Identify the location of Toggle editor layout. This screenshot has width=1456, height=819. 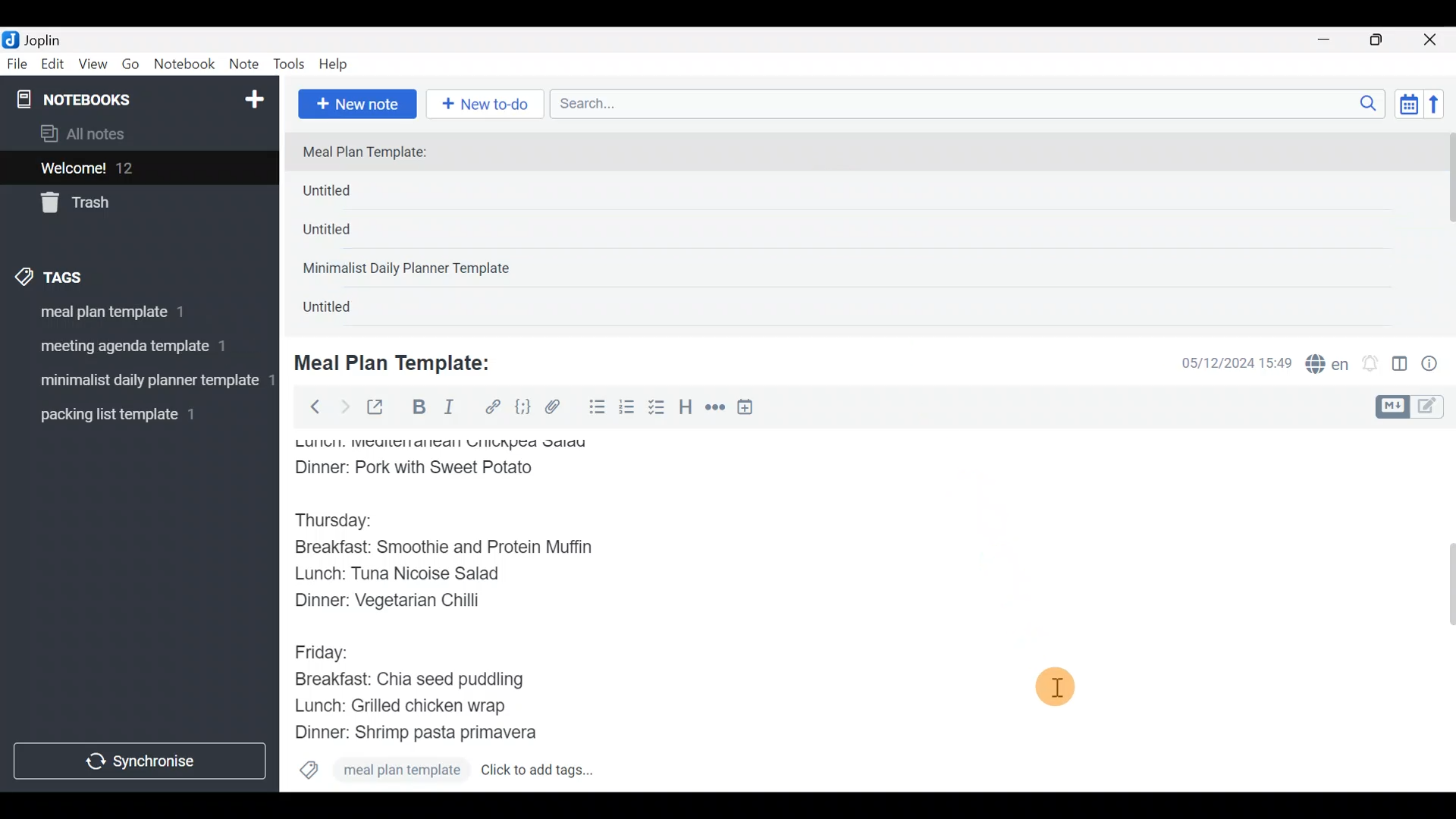
(1401, 366).